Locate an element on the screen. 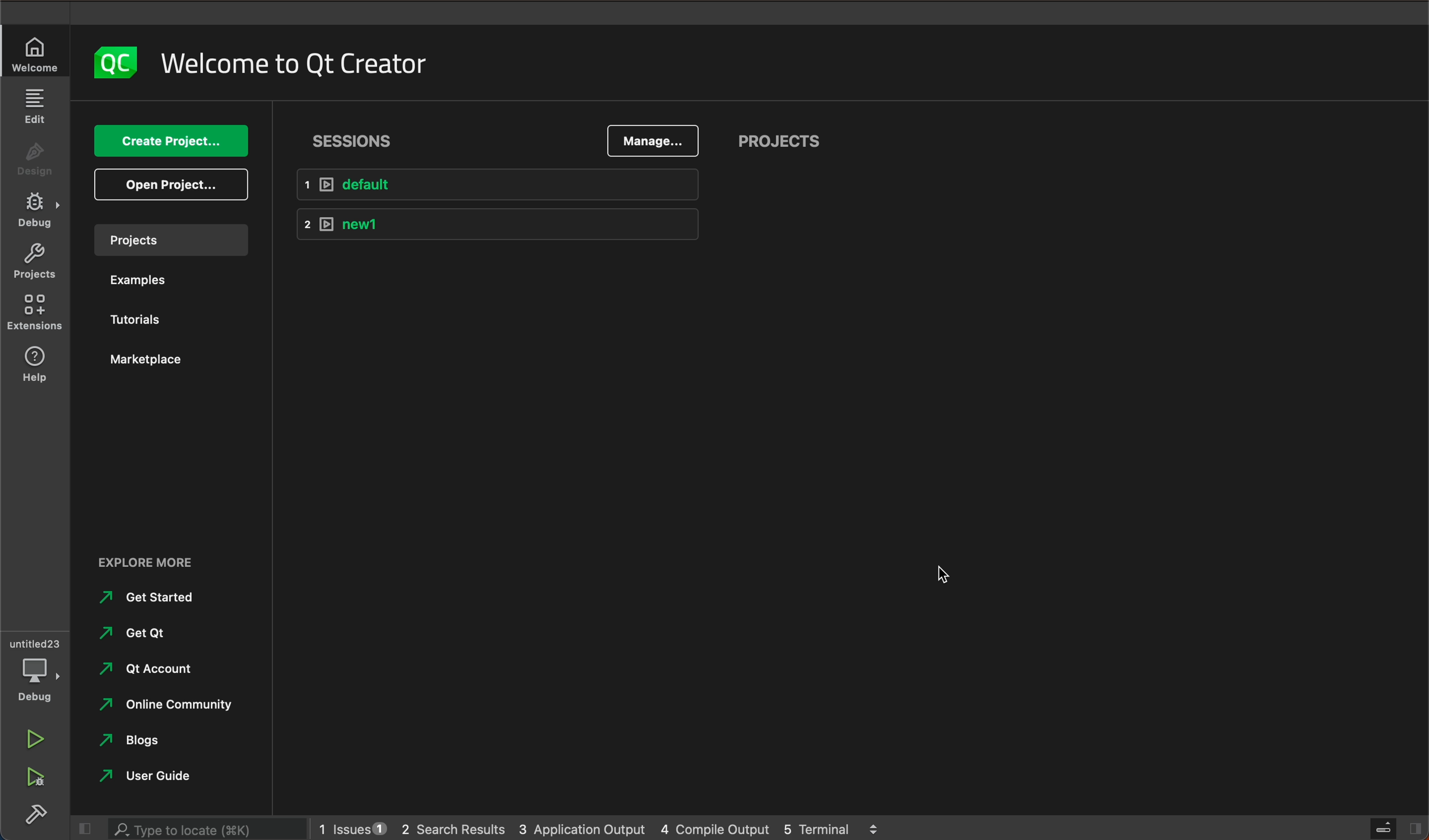 The width and height of the screenshot is (1429, 840). help is located at coordinates (38, 366).